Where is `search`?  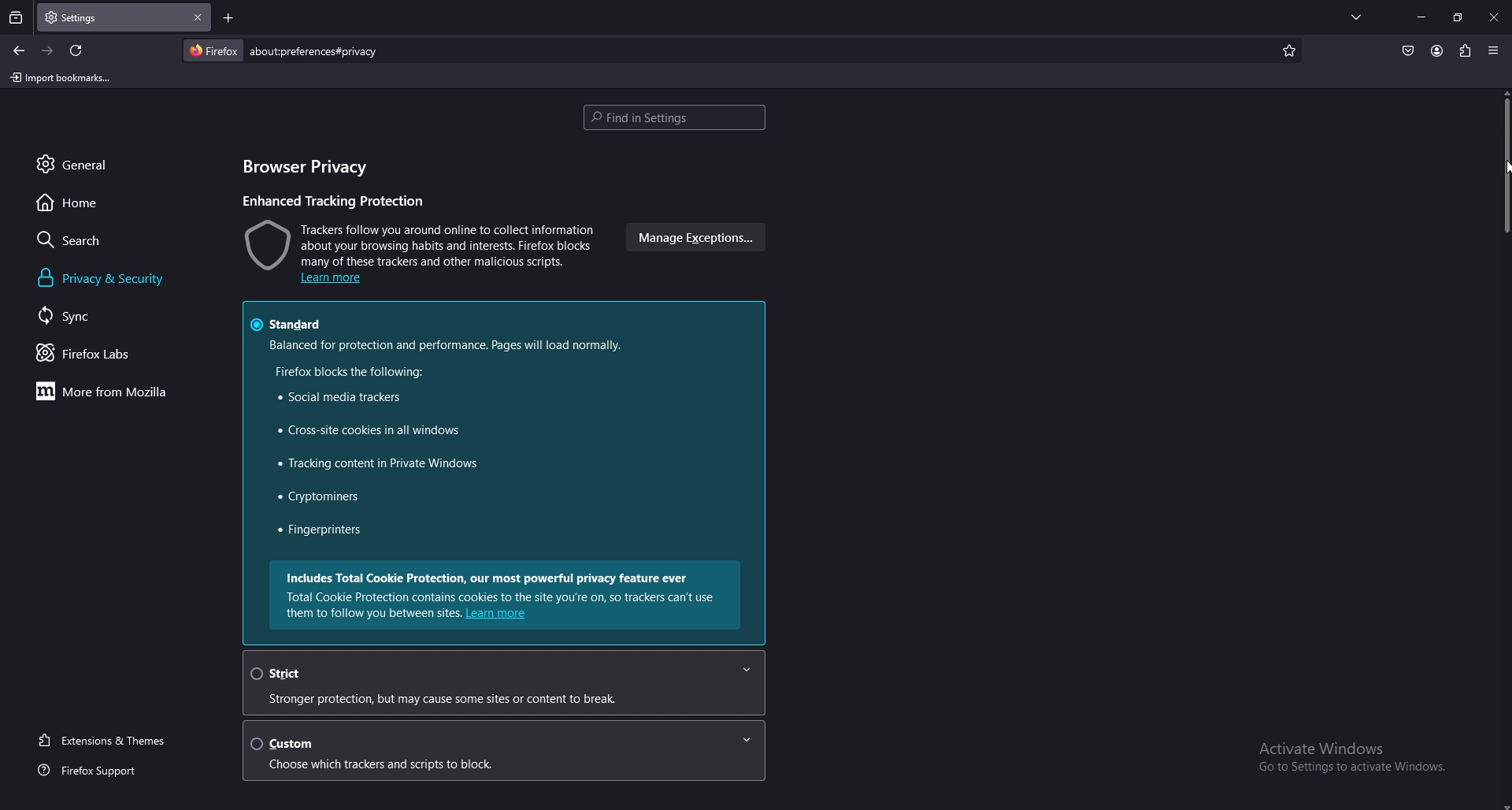 search is located at coordinates (97, 240).